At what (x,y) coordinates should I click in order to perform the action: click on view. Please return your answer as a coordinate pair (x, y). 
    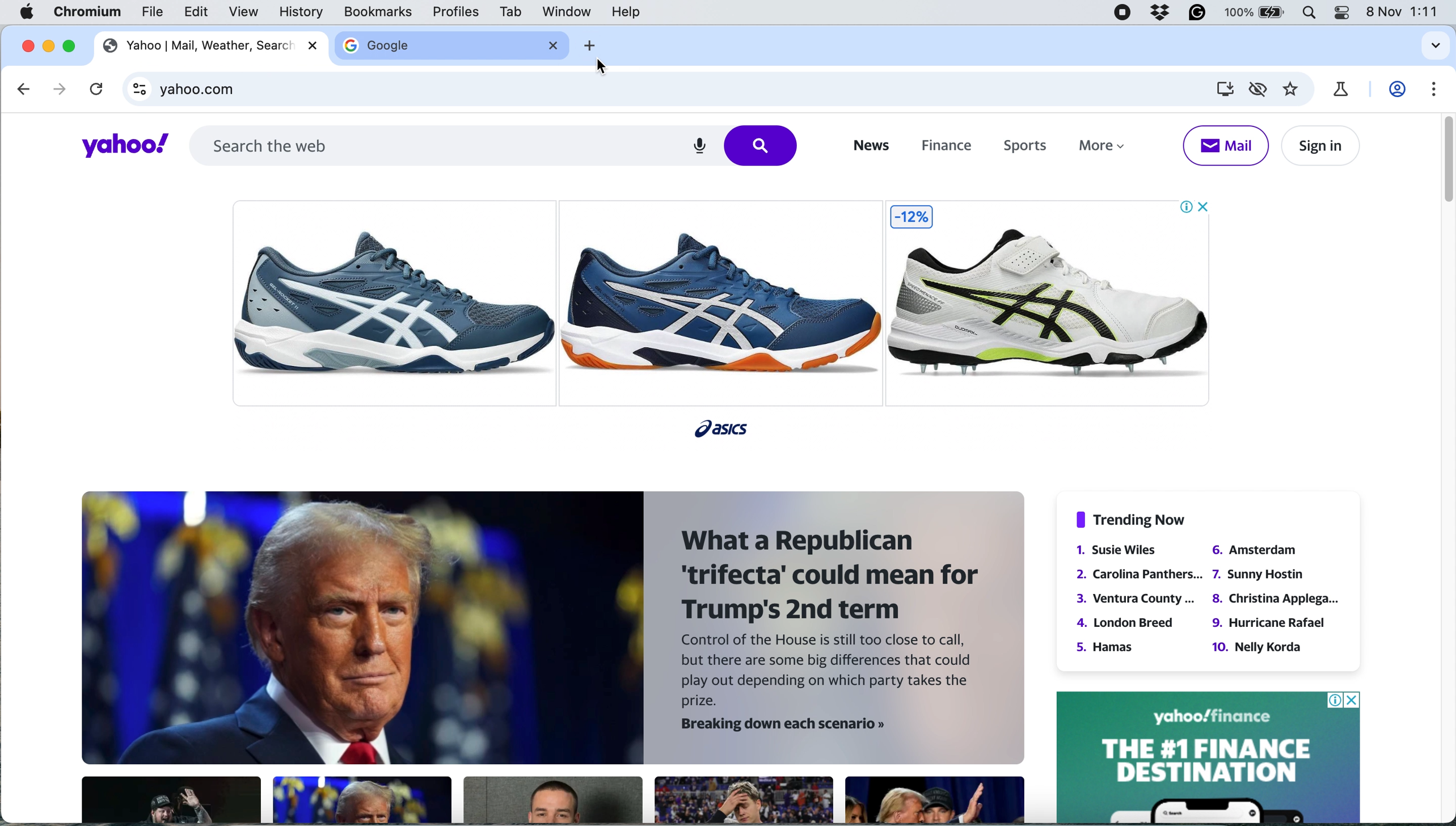
    Looking at the image, I should click on (246, 12).